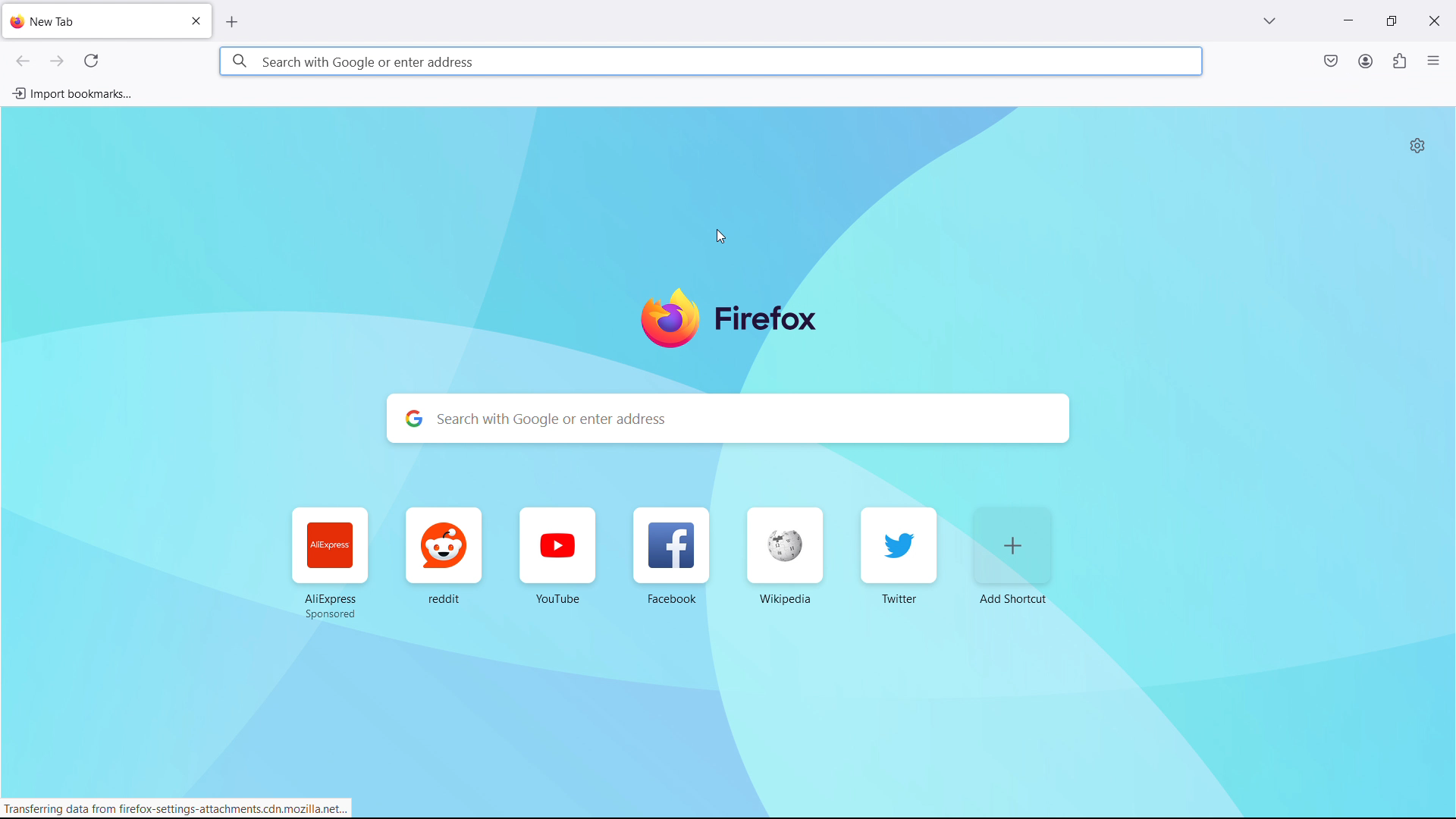 This screenshot has width=1456, height=819. I want to click on open application menu, so click(1433, 59).